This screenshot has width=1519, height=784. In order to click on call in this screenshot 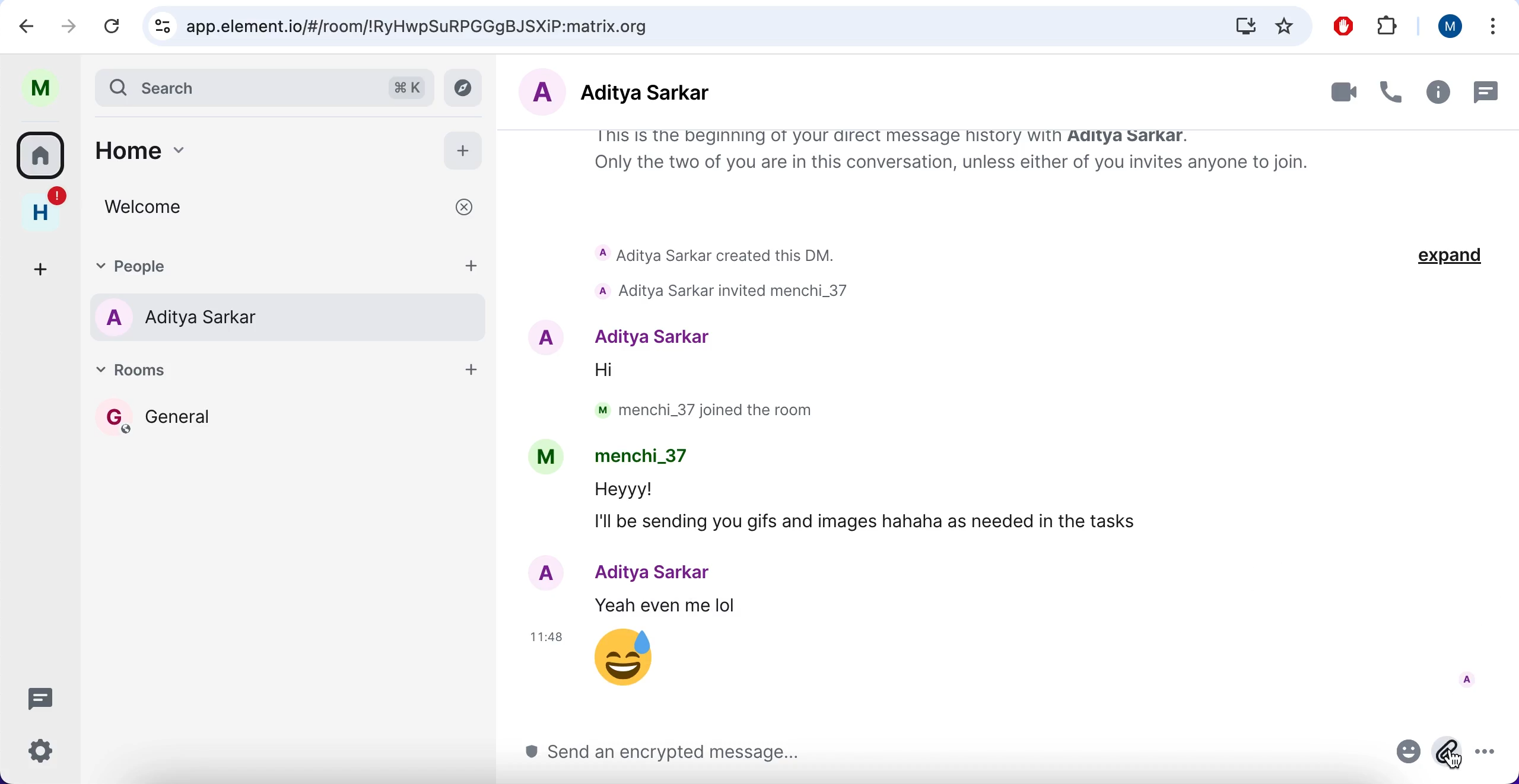, I will do `click(1390, 92)`.